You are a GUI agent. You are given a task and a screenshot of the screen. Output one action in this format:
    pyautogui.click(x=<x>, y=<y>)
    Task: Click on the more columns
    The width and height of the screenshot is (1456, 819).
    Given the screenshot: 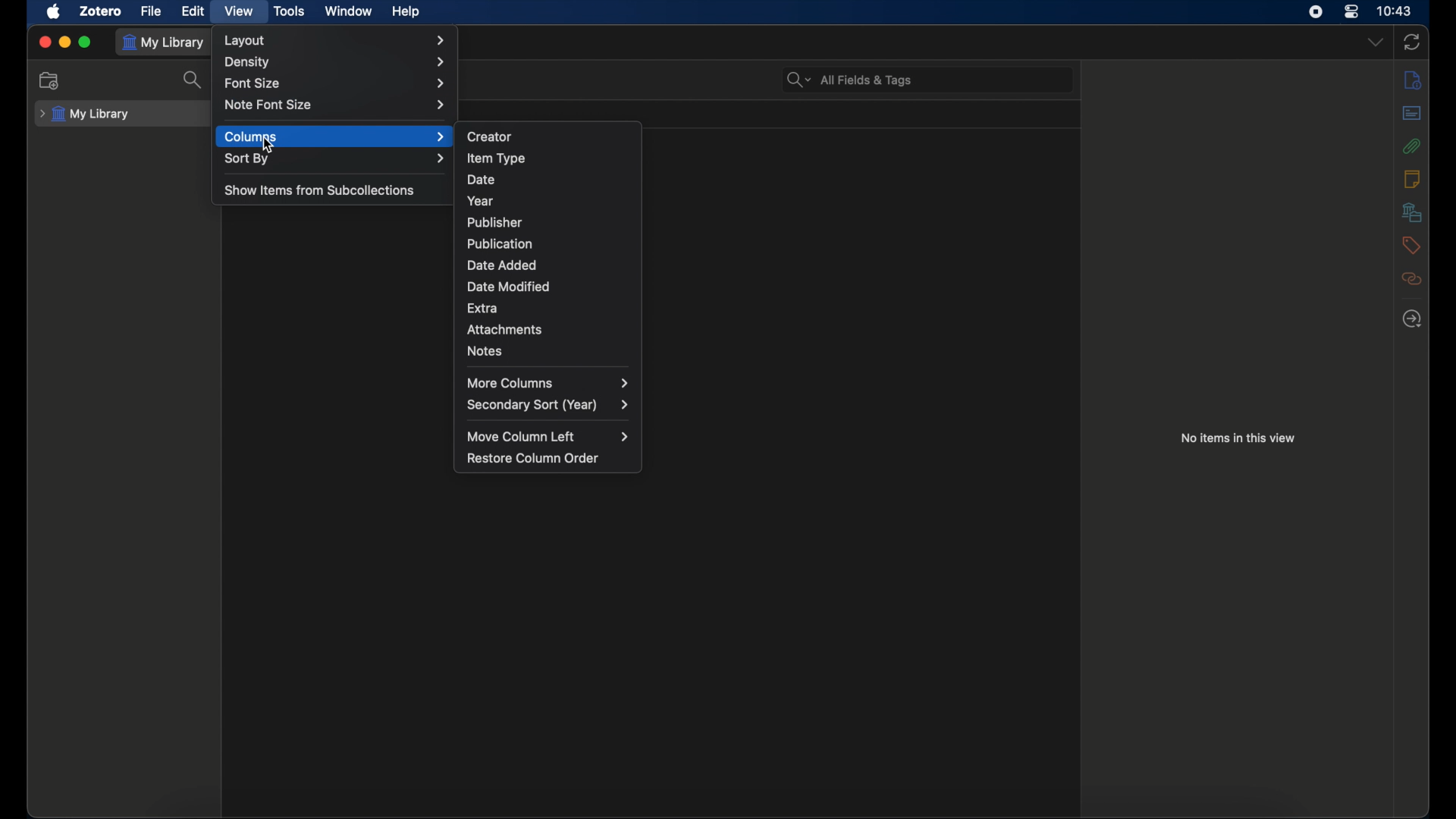 What is the action you would take?
    pyautogui.click(x=548, y=382)
    